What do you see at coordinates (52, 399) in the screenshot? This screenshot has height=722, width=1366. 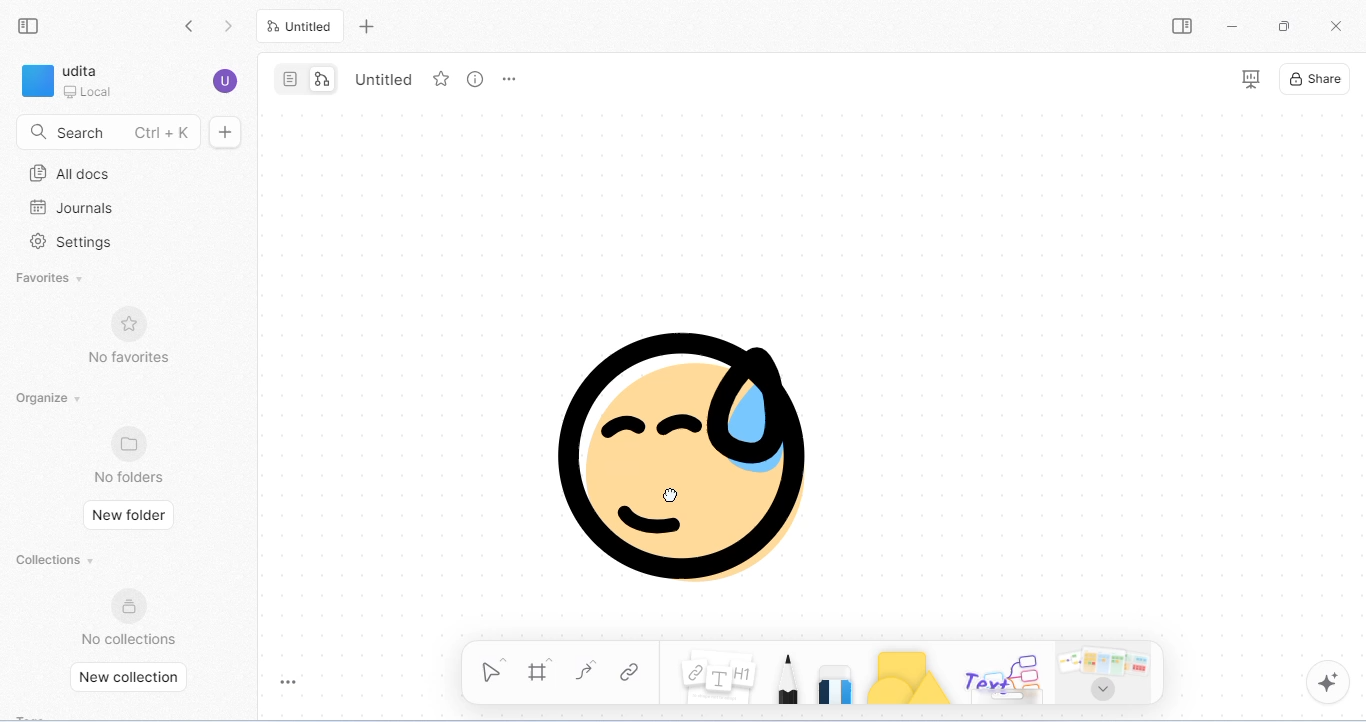 I see `organize` at bounding box center [52, 399].